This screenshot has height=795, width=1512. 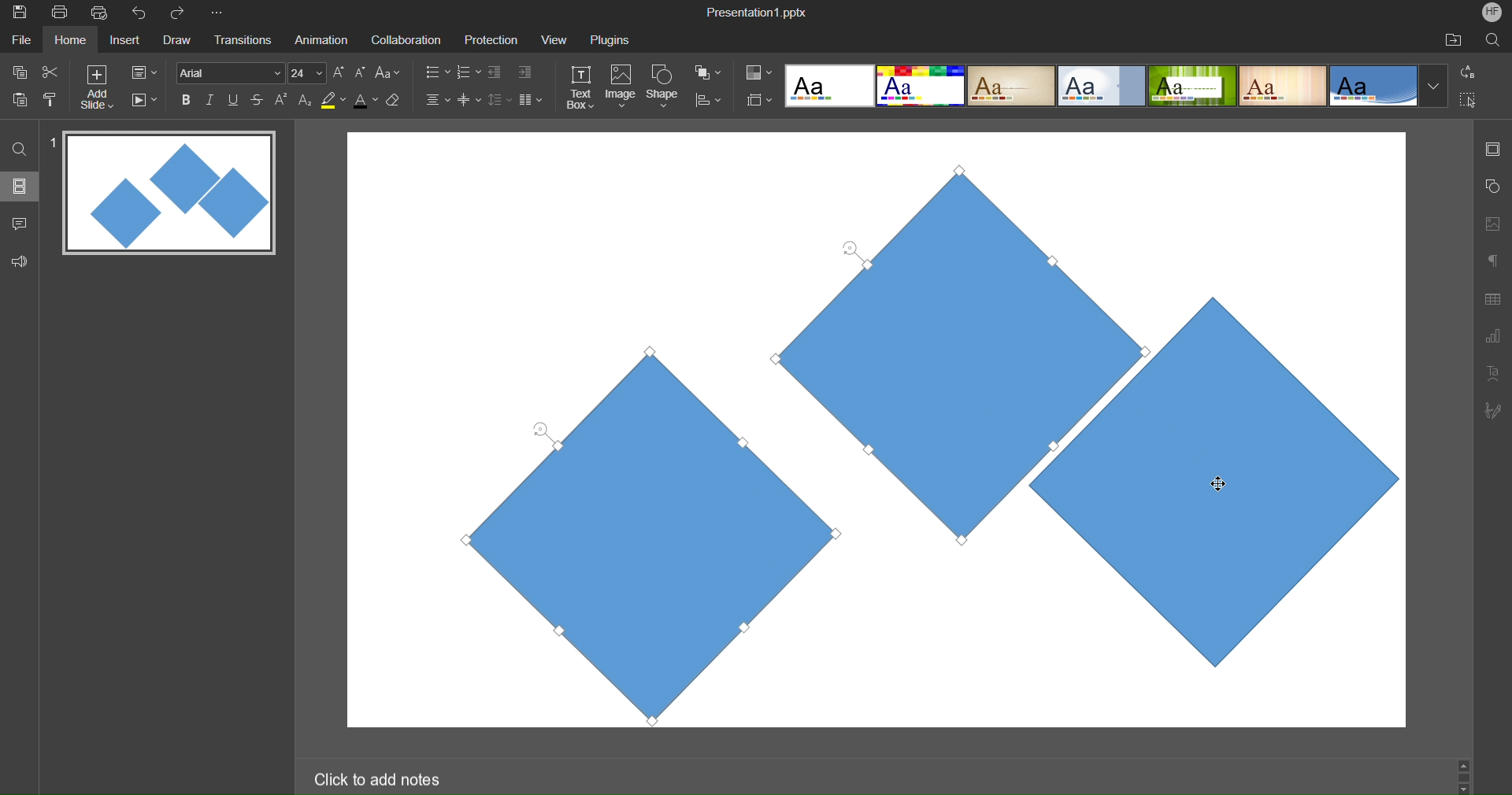 I want to click on Click to add notes, so click(x=376, y=778).